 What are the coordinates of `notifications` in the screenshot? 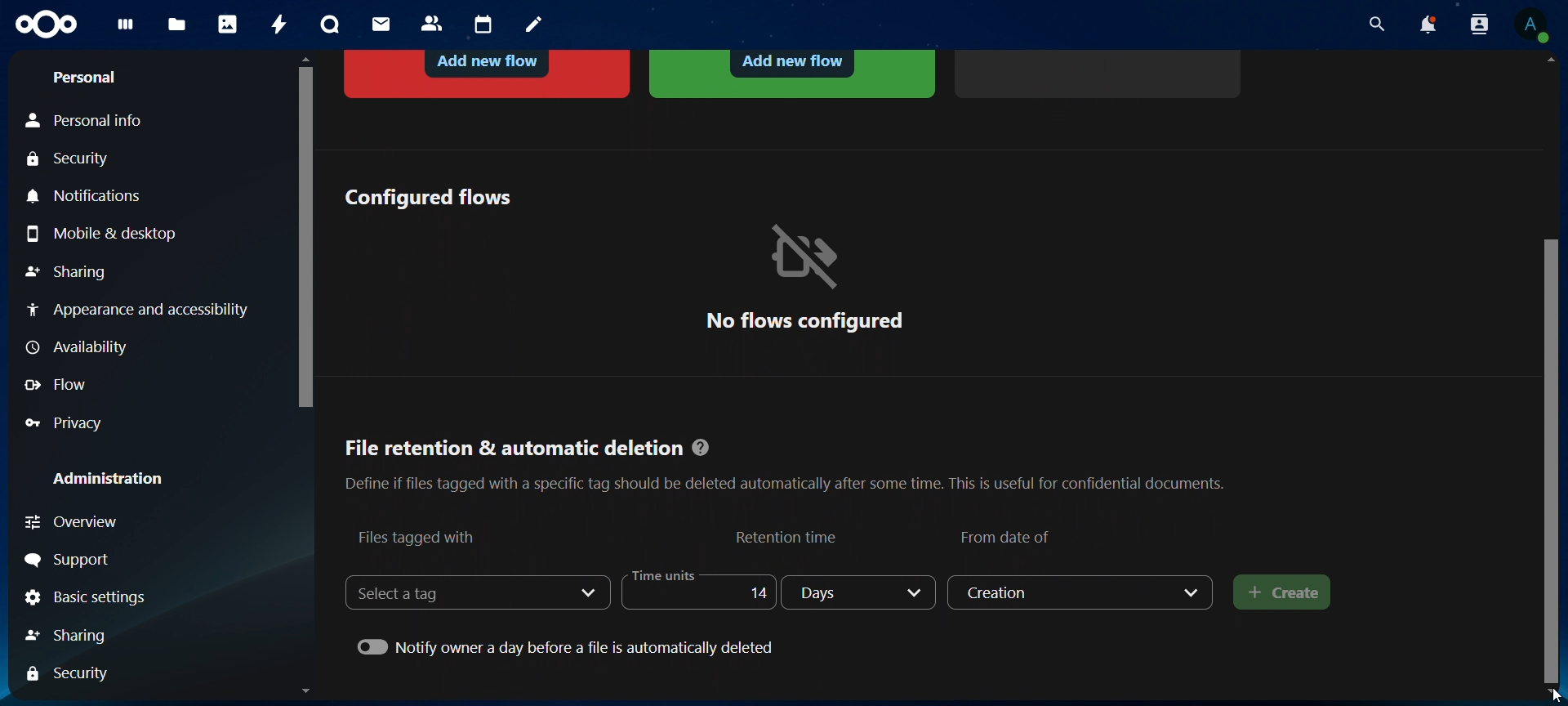 It's located at (89, 197).